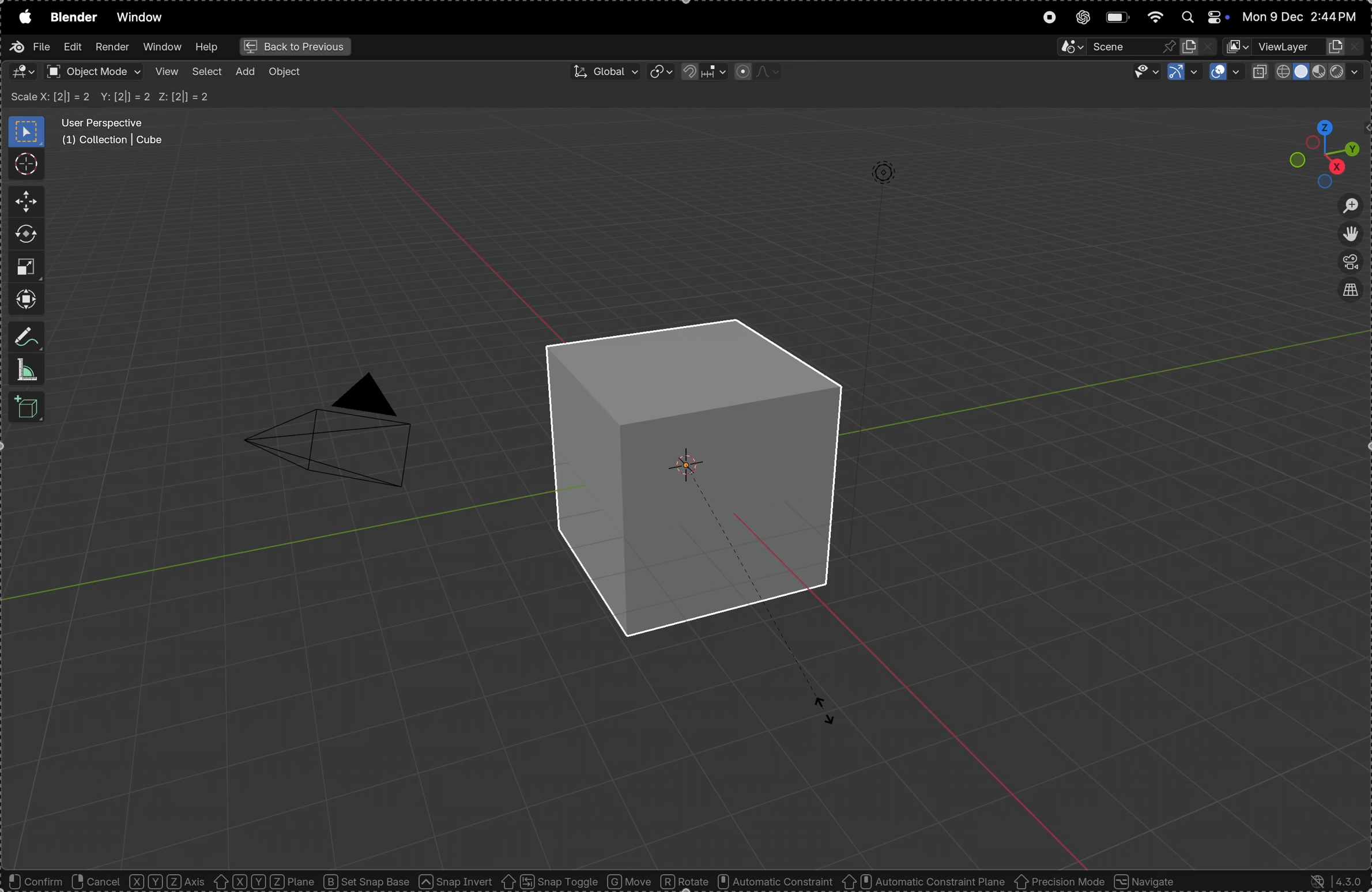 This screenshot has height=892, width=1372. What do you see at coordinates (22, 73) in the screenshot?
I see `editor type` at bounding box center [22, 73].